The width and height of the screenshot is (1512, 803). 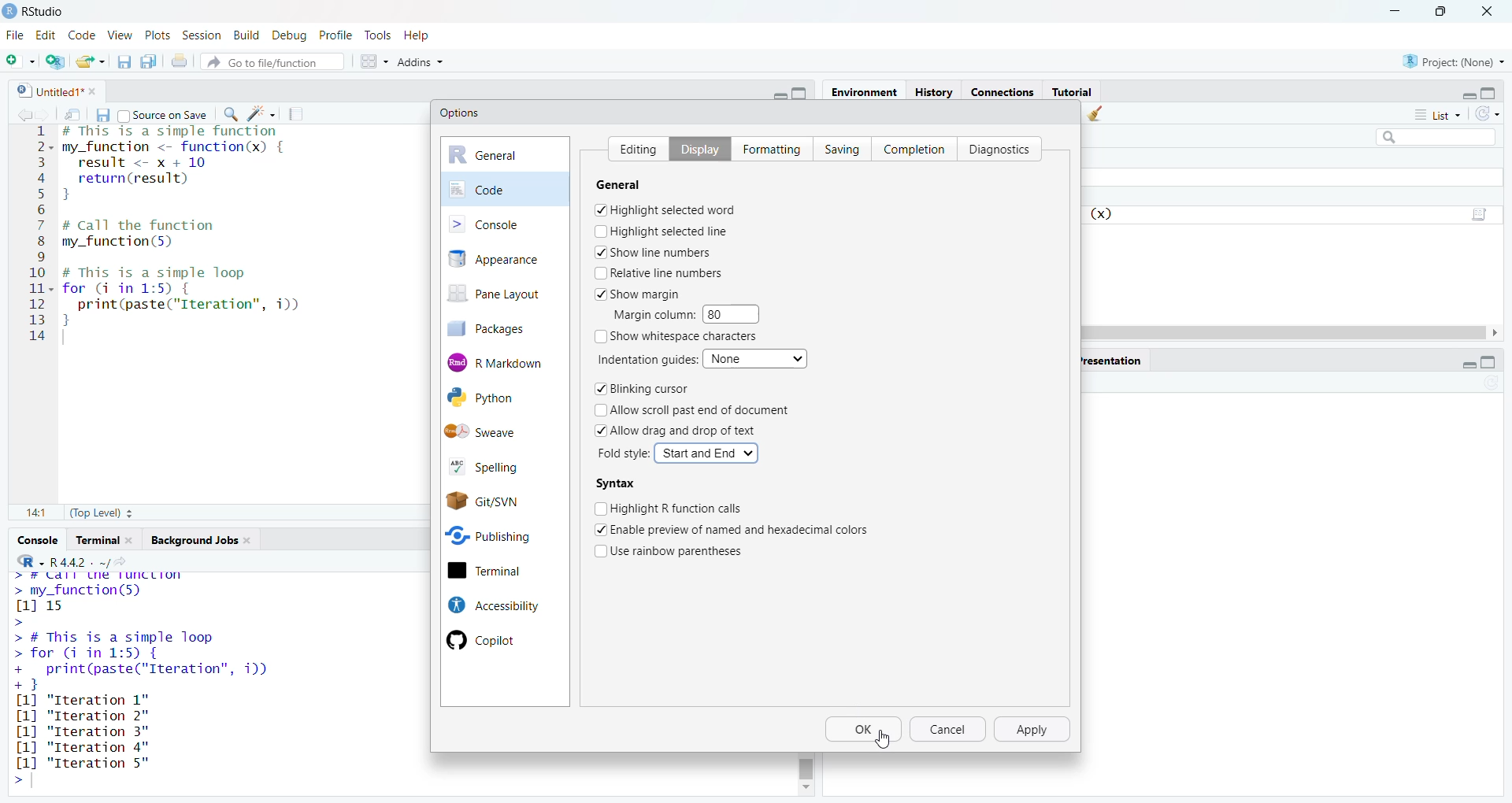 I want to click on Python, so click(x=499, y=398).